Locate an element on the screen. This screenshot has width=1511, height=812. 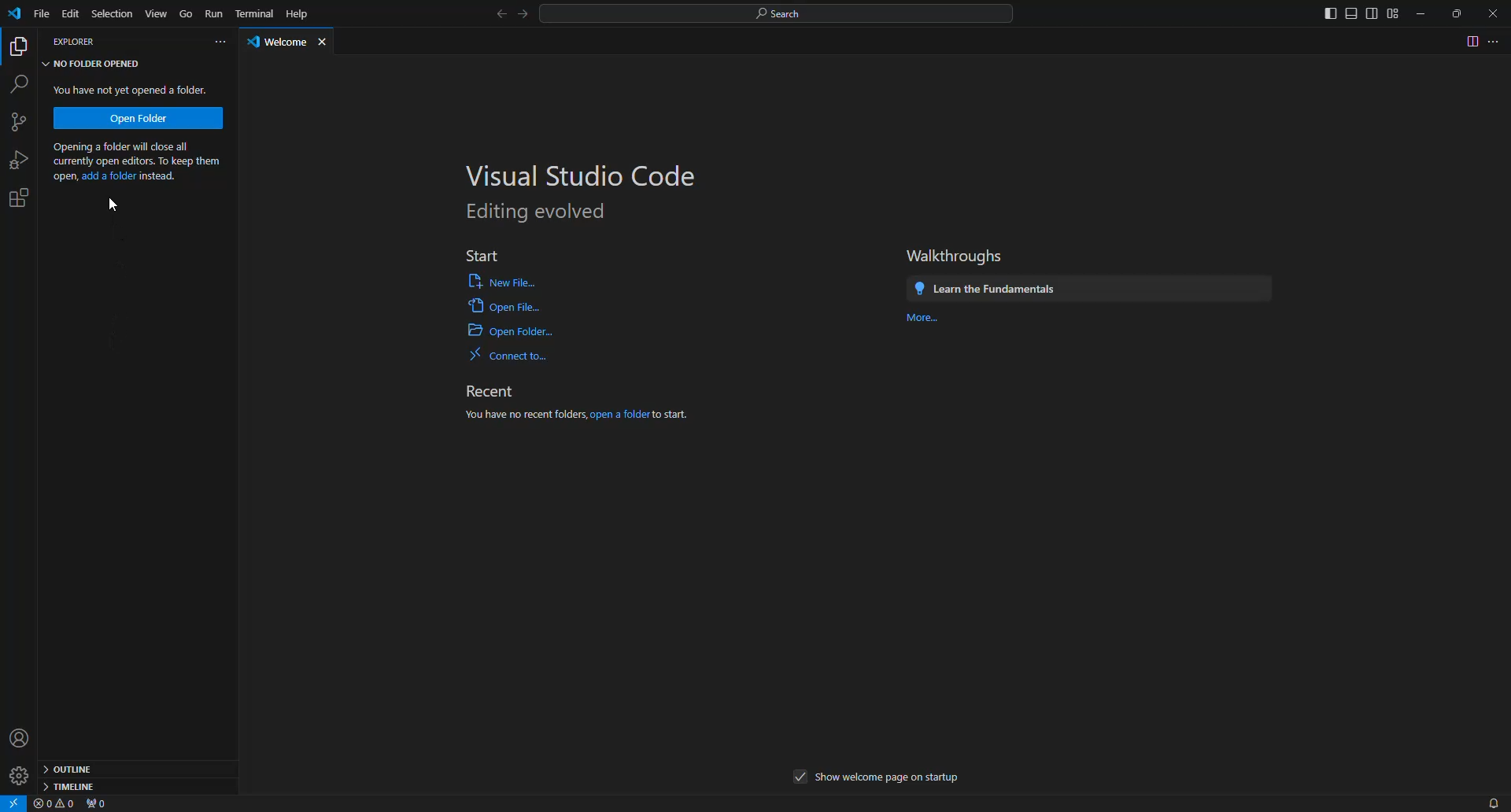
explorer is located at coordinates (20, 46).